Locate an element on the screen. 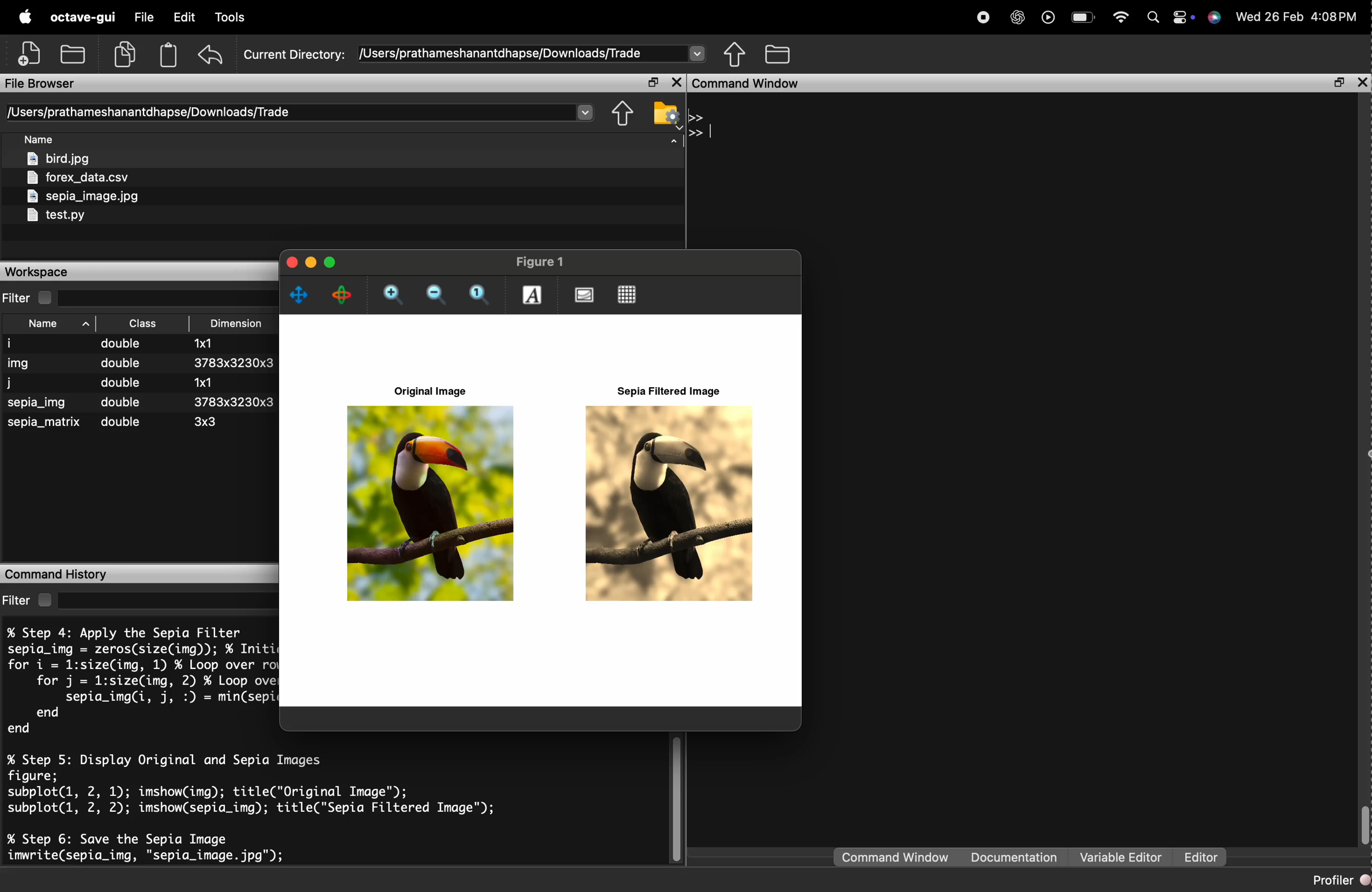  Edit is located at coordinates (183, 17).